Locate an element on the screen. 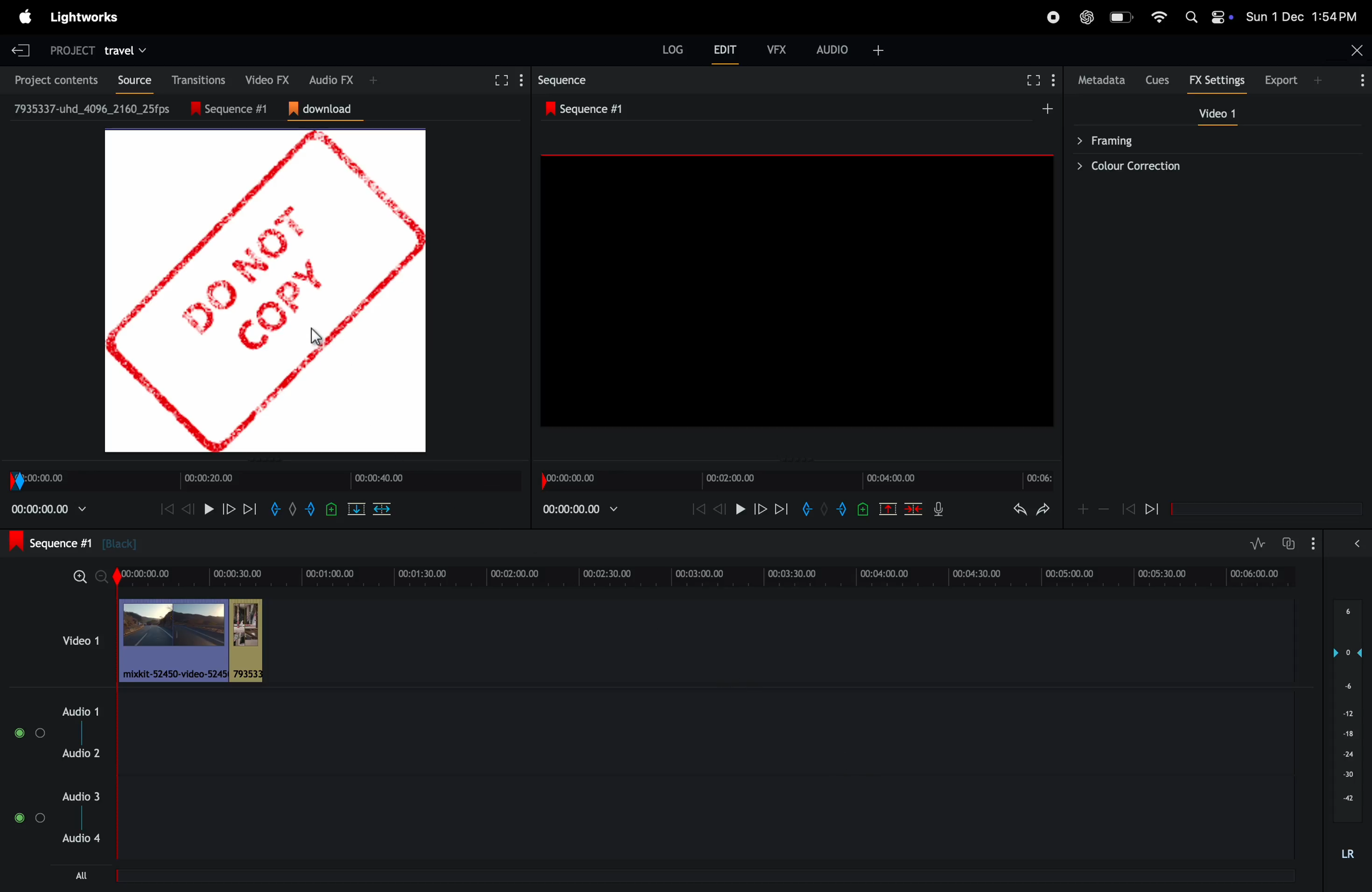 Image resolution: width=1372 pixels, height=892 pixels. video clips is located at coordinates (194, 640).